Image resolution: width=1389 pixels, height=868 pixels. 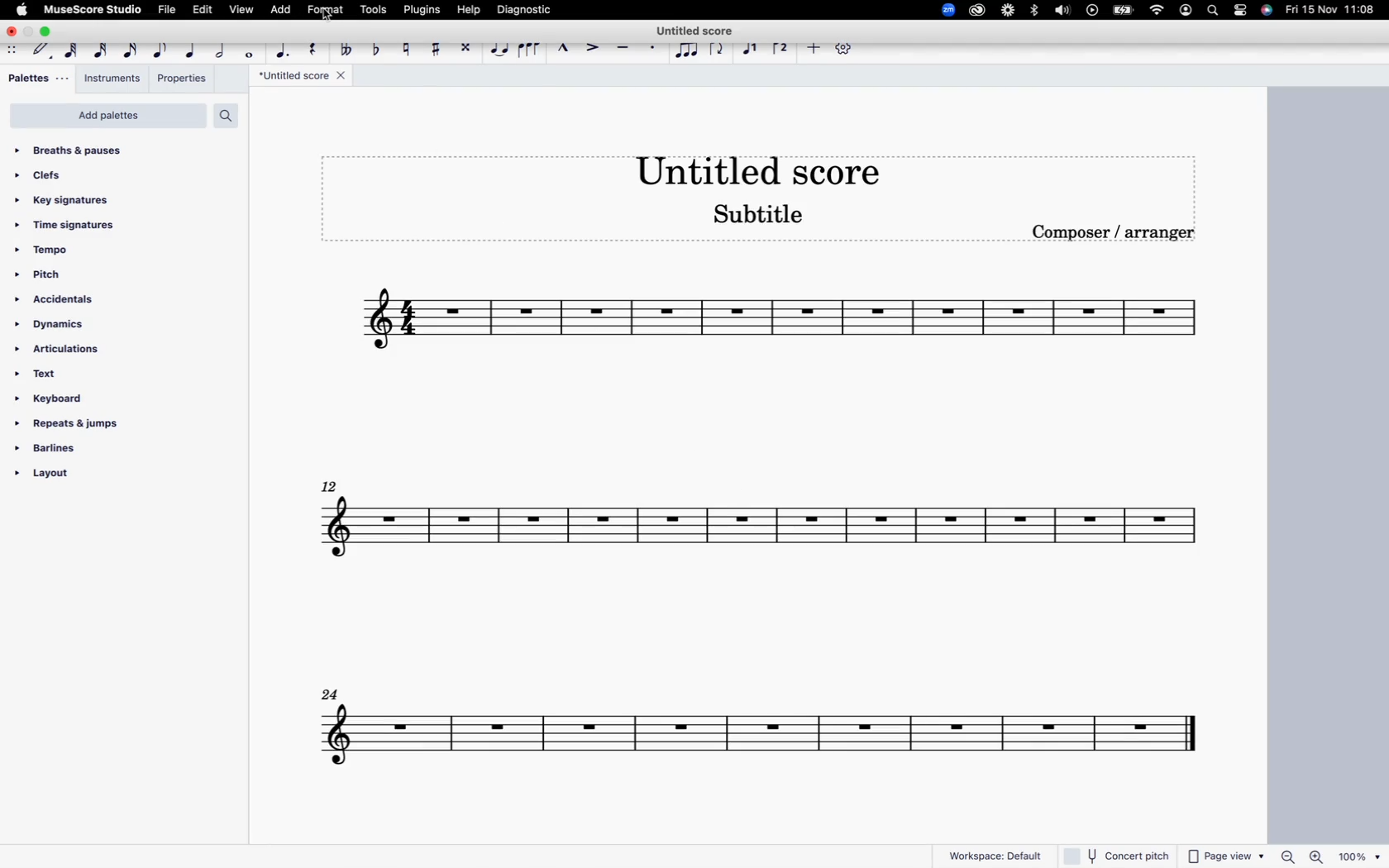 What do you see at coordinates (184, 79) in the screenshot?
I see `properties` at bounding box center [184, 79].